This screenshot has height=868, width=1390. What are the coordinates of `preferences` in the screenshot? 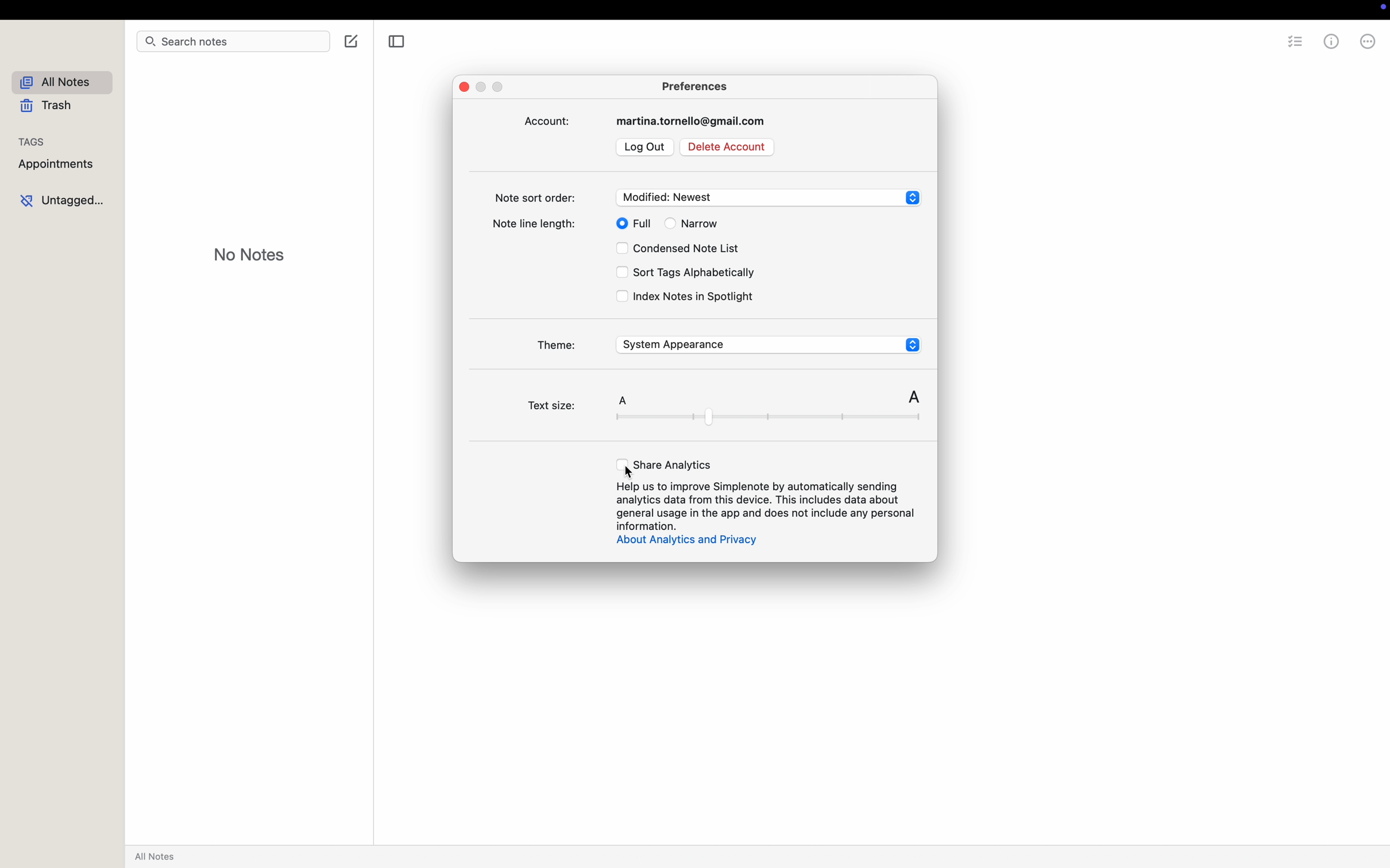 It's located at (697, 85).